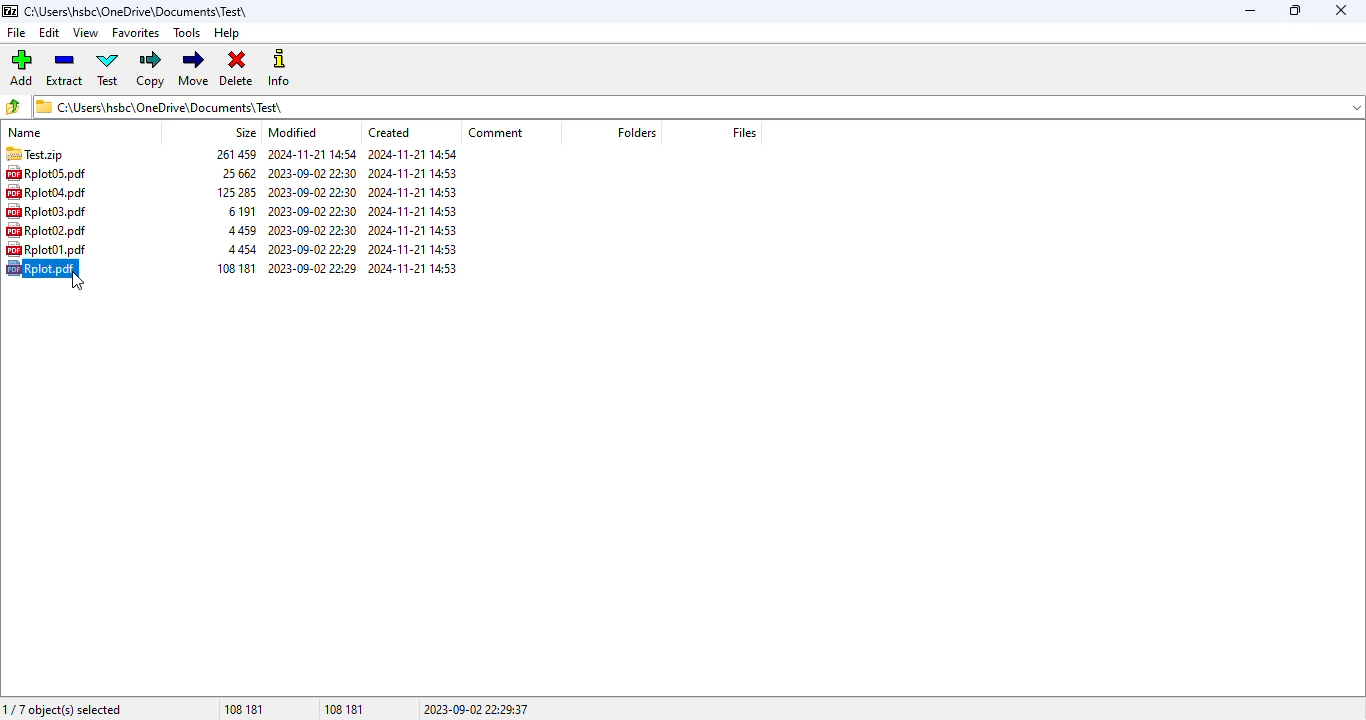  Describe the element at coordinates (52, 191) in the screenshot. I see ` Rplot04,pdf` at that location.